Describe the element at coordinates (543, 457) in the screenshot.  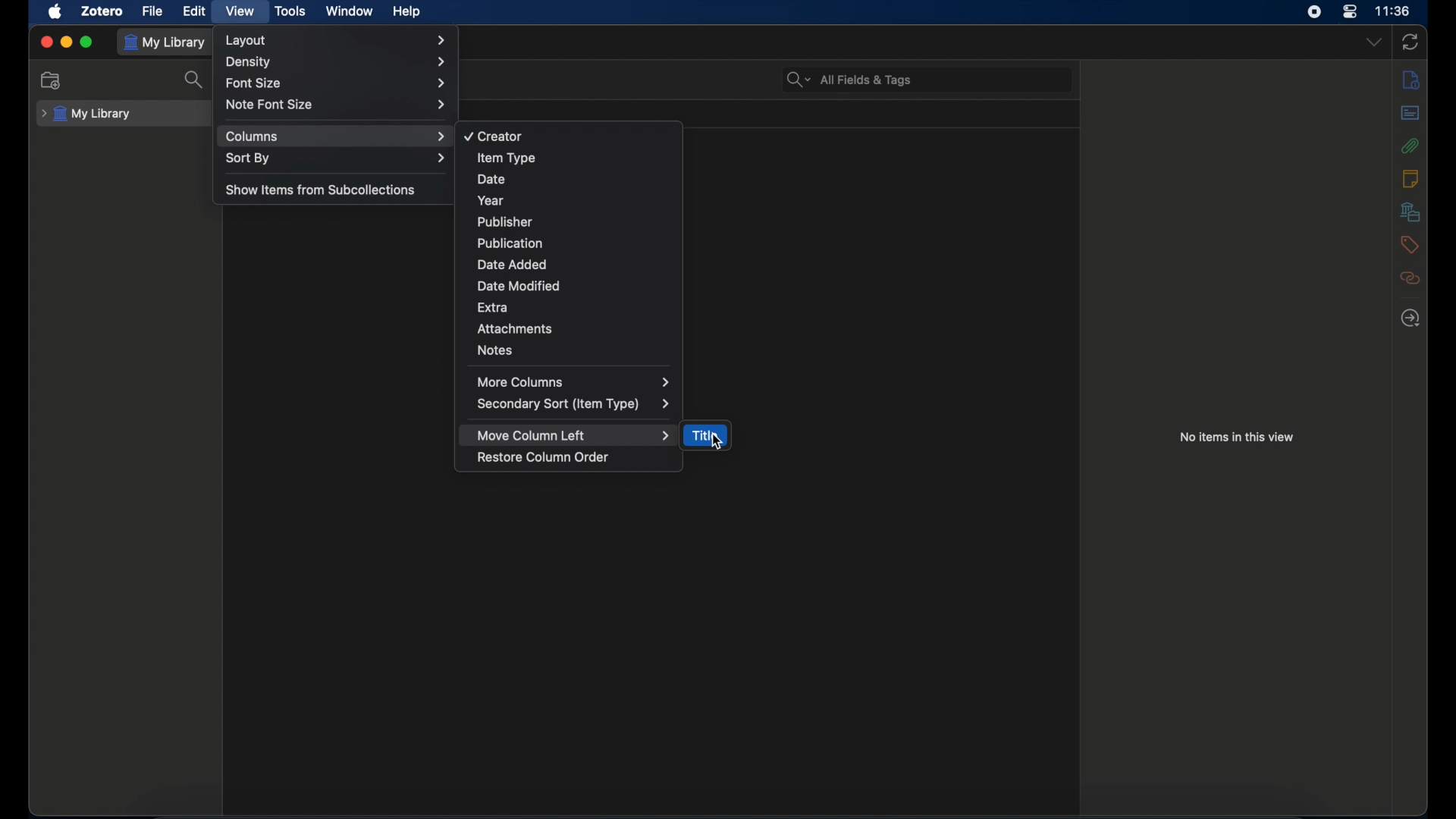
I see `restore column order` at that location.